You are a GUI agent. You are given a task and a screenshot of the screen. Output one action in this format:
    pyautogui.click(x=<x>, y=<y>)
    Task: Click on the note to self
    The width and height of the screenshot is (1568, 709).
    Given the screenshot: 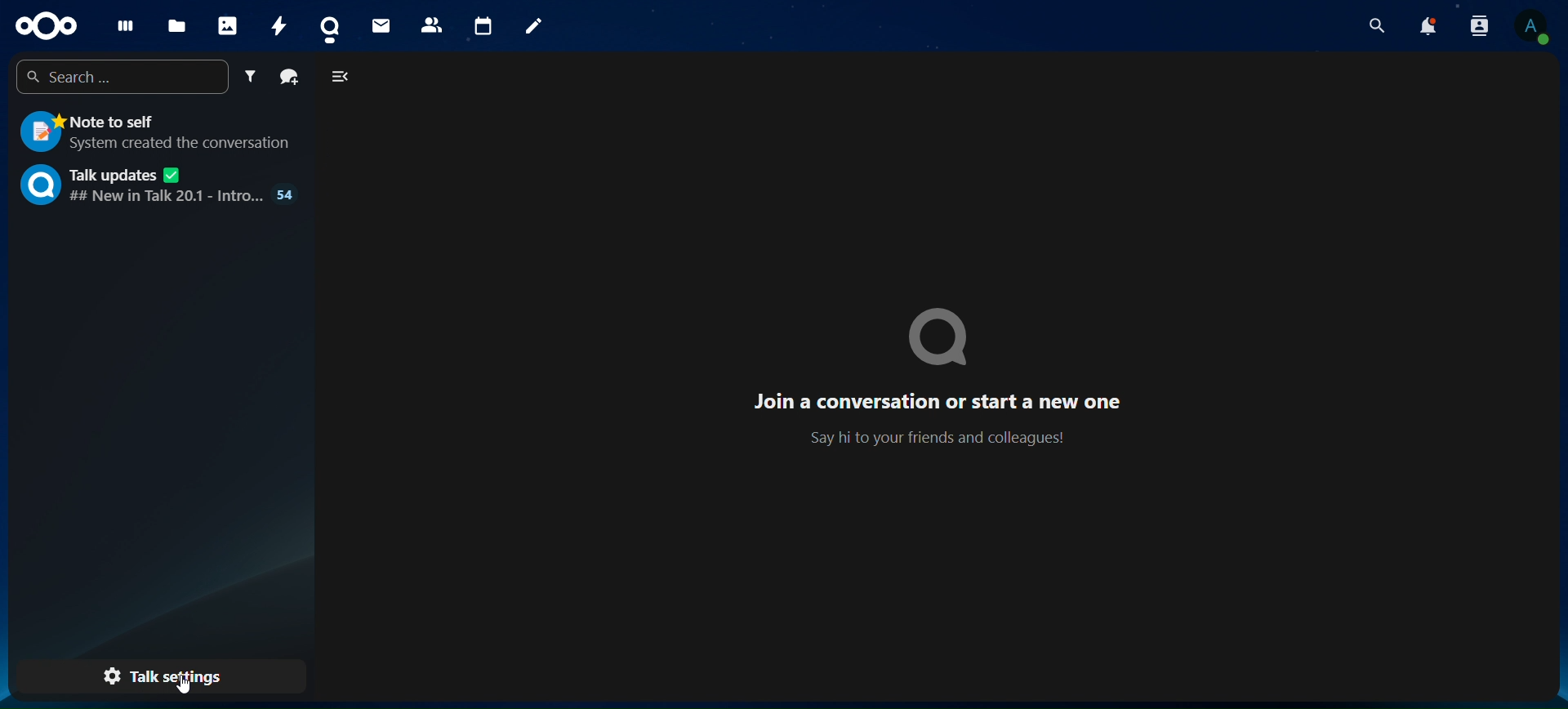 What is the action you would take?
    pyautogui.click(x=153, y=128)
    